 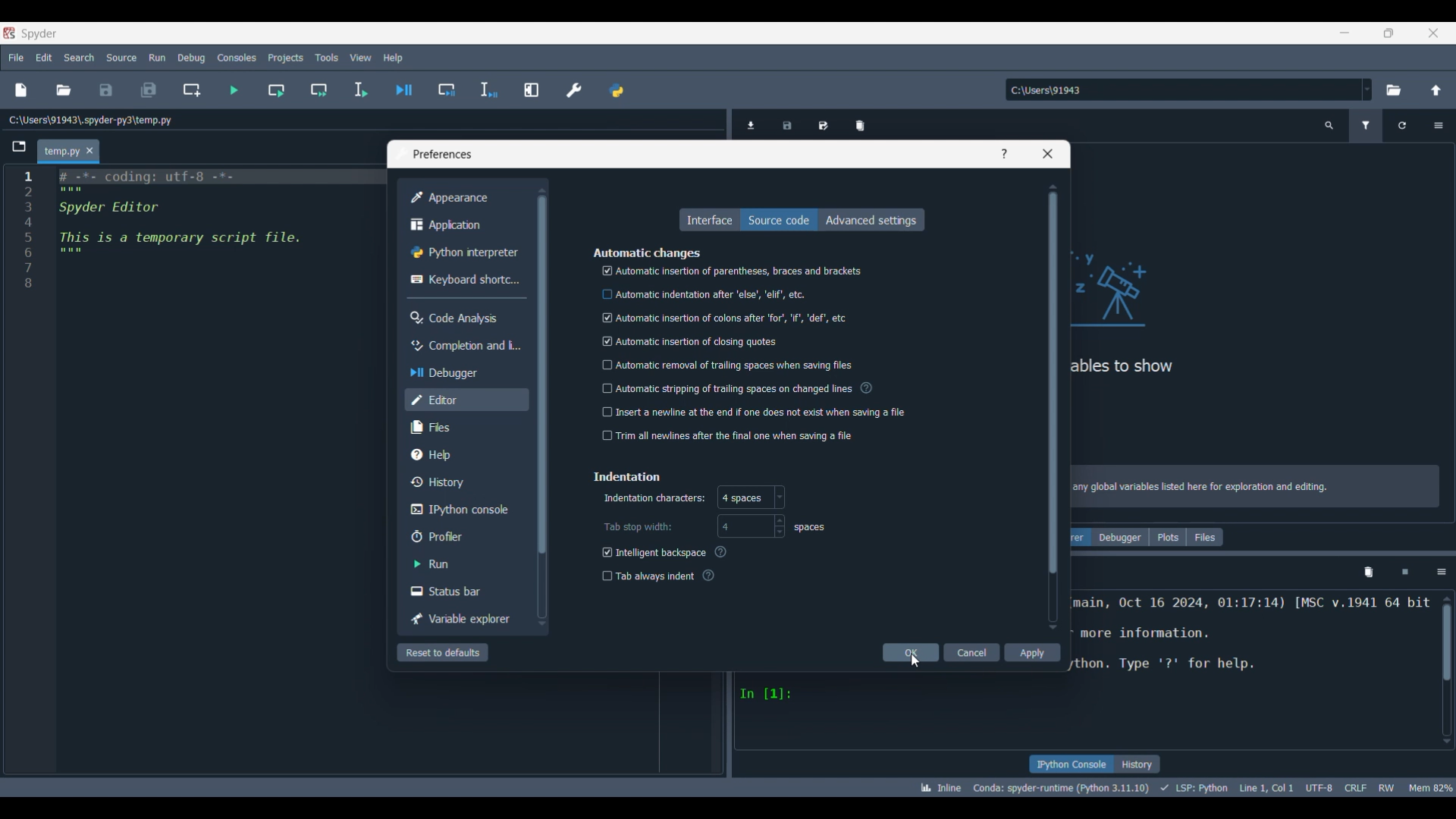 What do you see at coordinates (234, 90) in the screenshot?
I see `Run file` at bounding box center [234, 90].